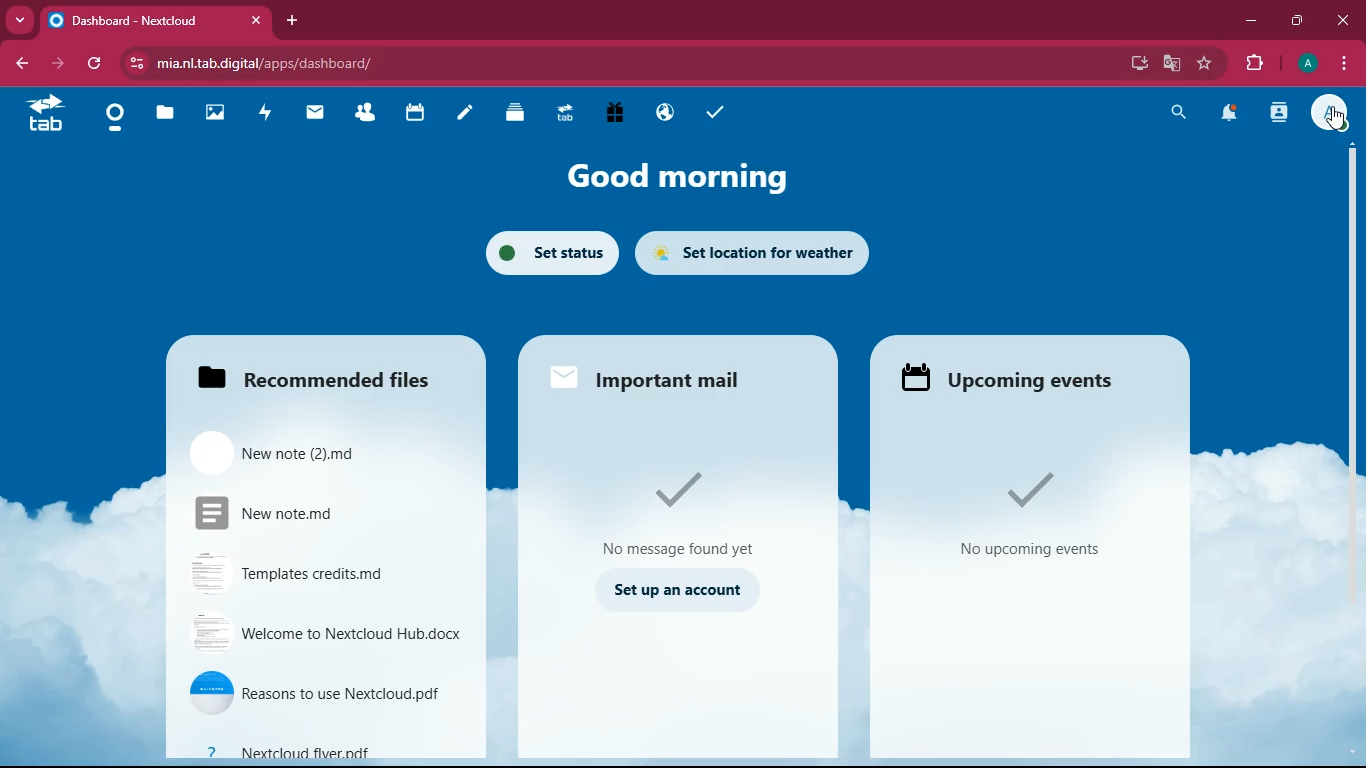  Describe the element at coordinates (1250, 23) in the screenshot. I see `minimize` at that location.